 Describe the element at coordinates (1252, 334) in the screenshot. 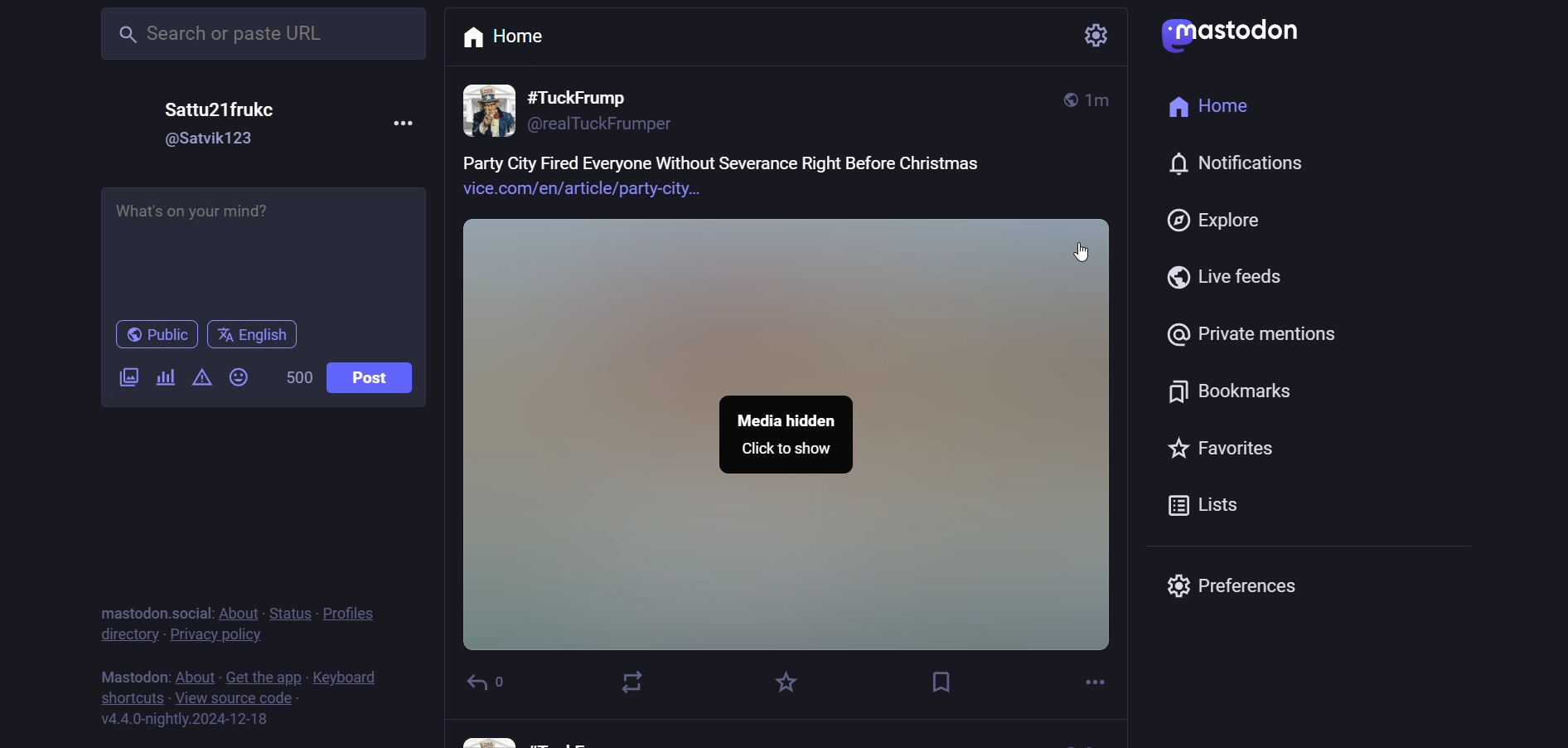

I see `Private mentions` at that location.